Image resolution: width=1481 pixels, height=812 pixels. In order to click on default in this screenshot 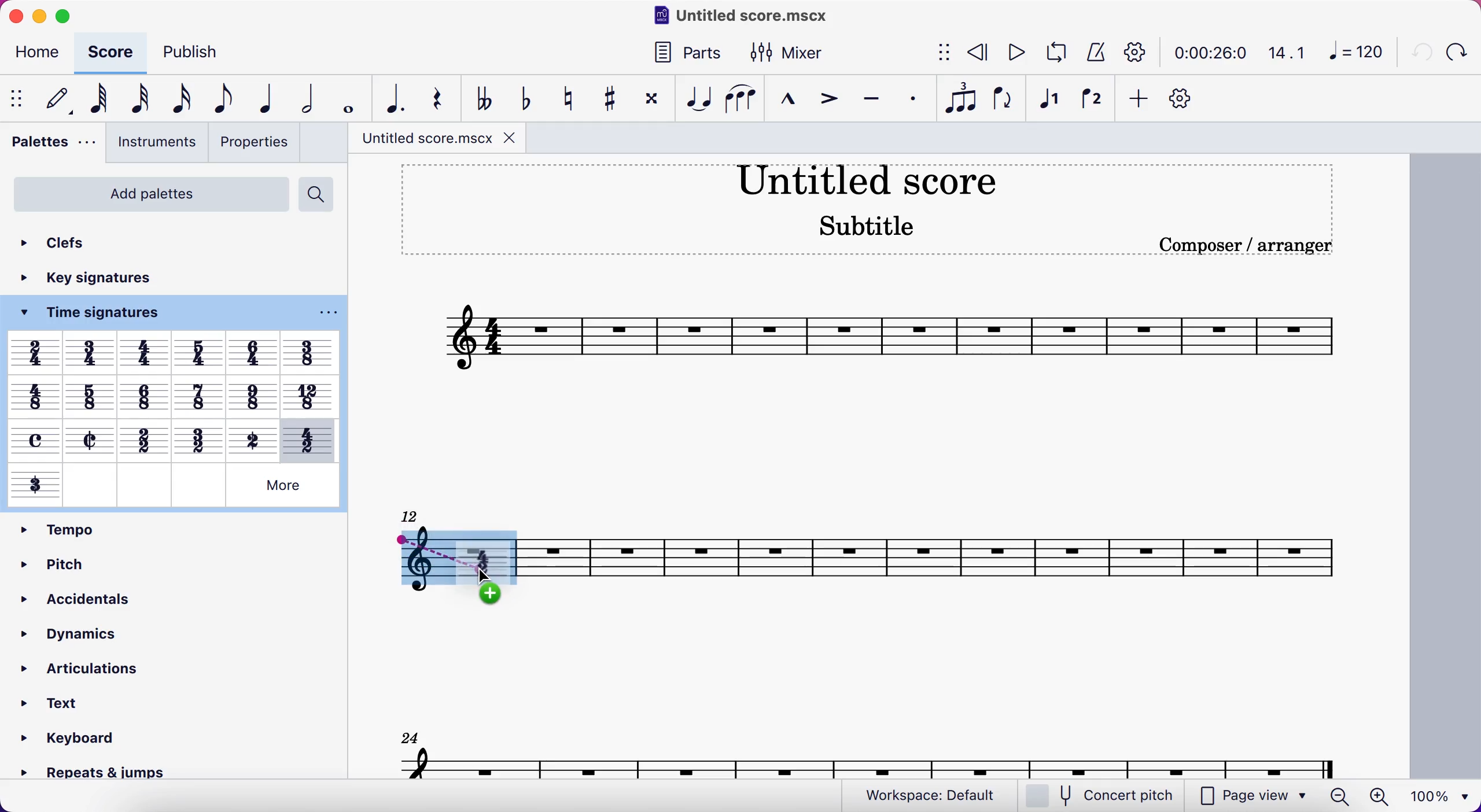, I will do `click(54, 99)`.